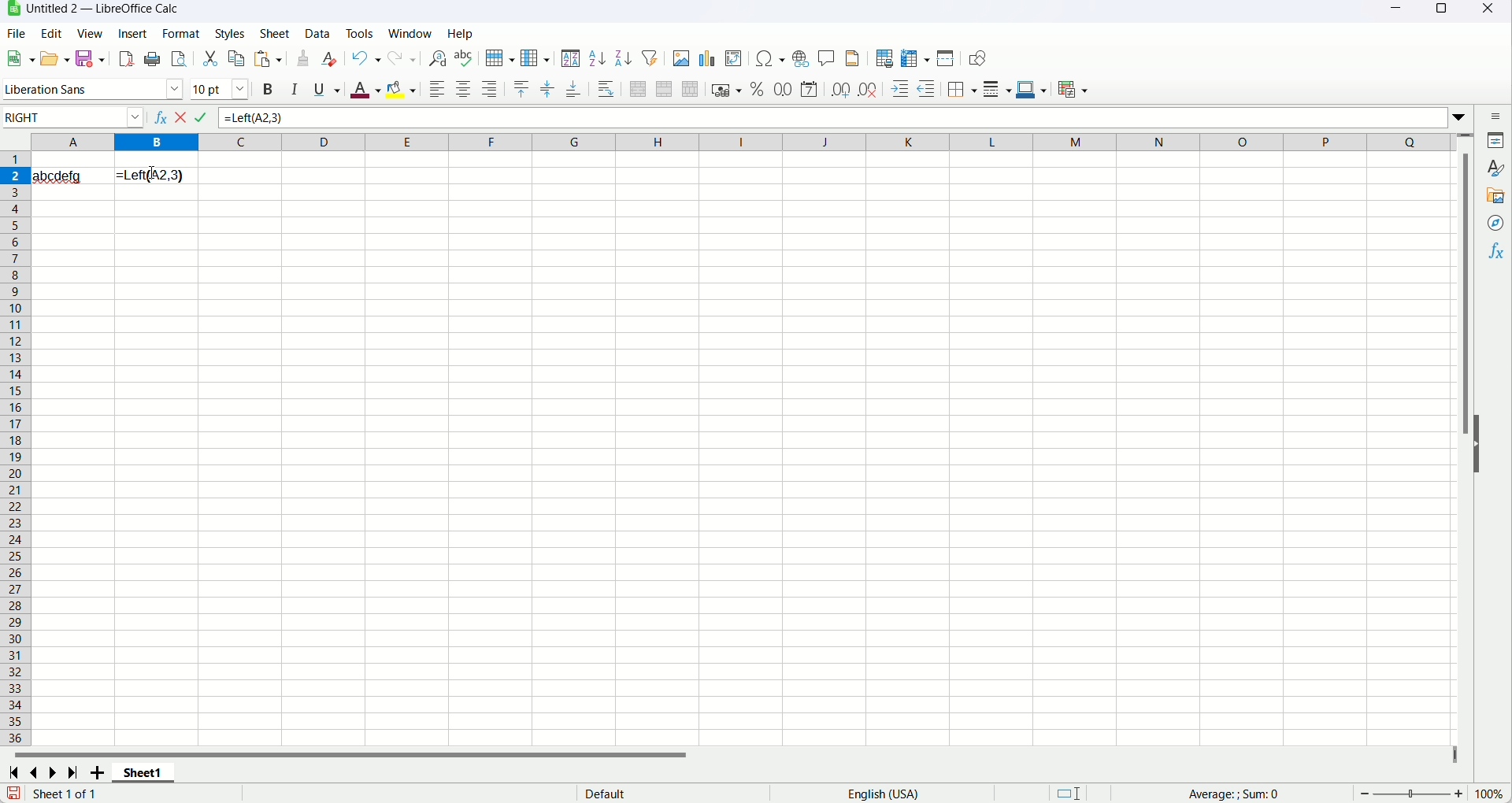 The width and height of the screenshot is (1512, 803). Describe the element at coordinates (35, 772) in the screenshot. I see `scroll to previous page` at that location.